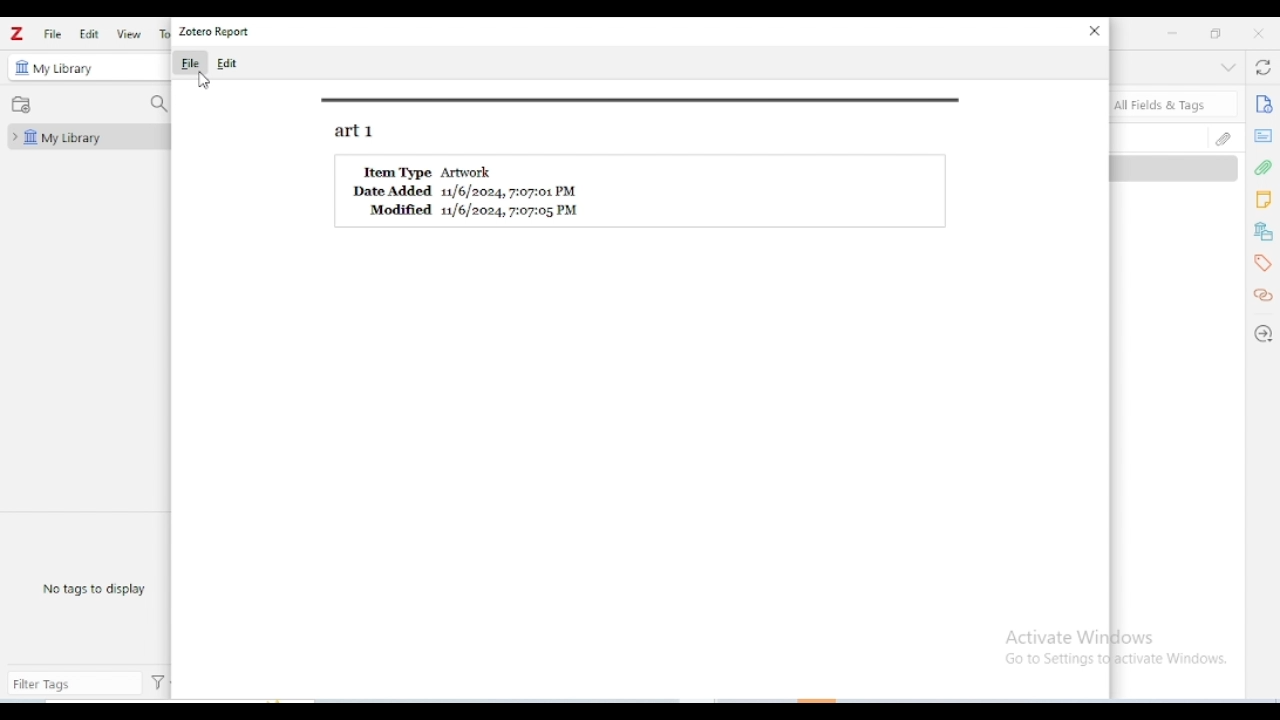 Image resolution: width=1280 pixels, height=720 pixels. I want to click on cursor, so click(204, 81).